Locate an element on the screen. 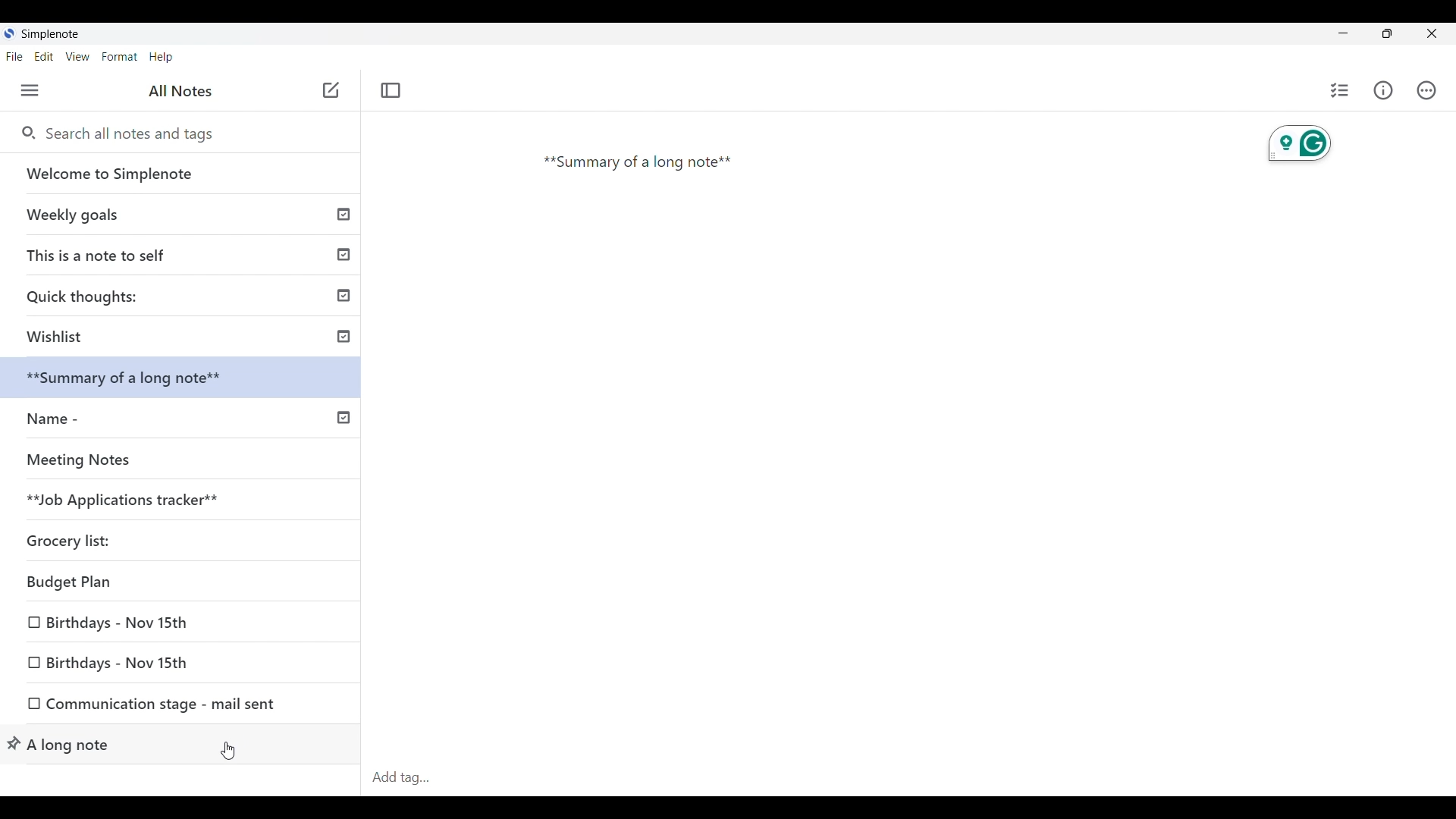 The width and height of the screenshot is (1456, 819). Menu is located at coordinates (30, 90).